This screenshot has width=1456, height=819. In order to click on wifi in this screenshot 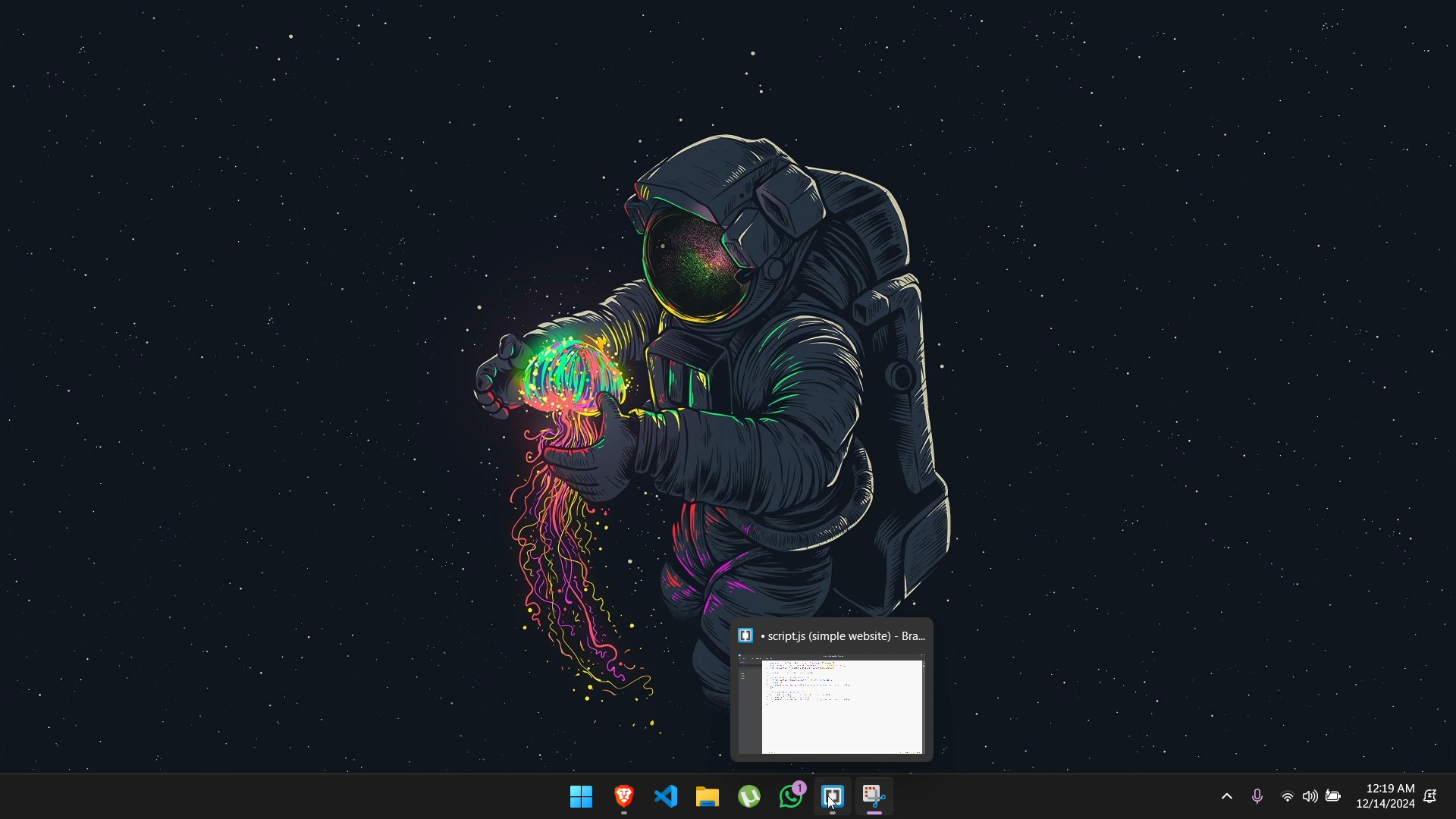, I will do `click(1285, 797)`.